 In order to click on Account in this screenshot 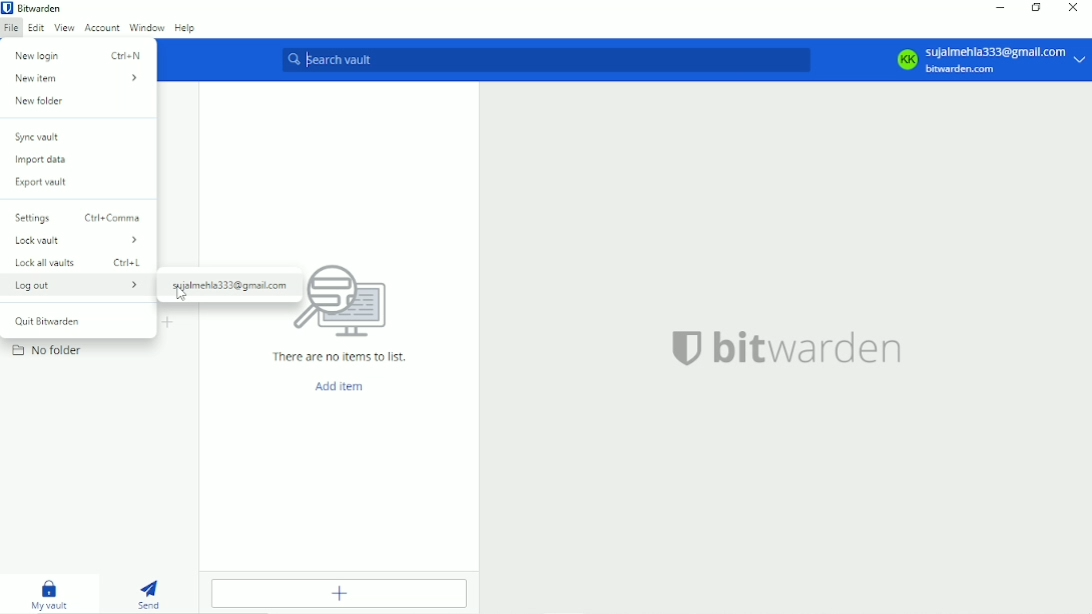, I will do `click(100, 27)`.